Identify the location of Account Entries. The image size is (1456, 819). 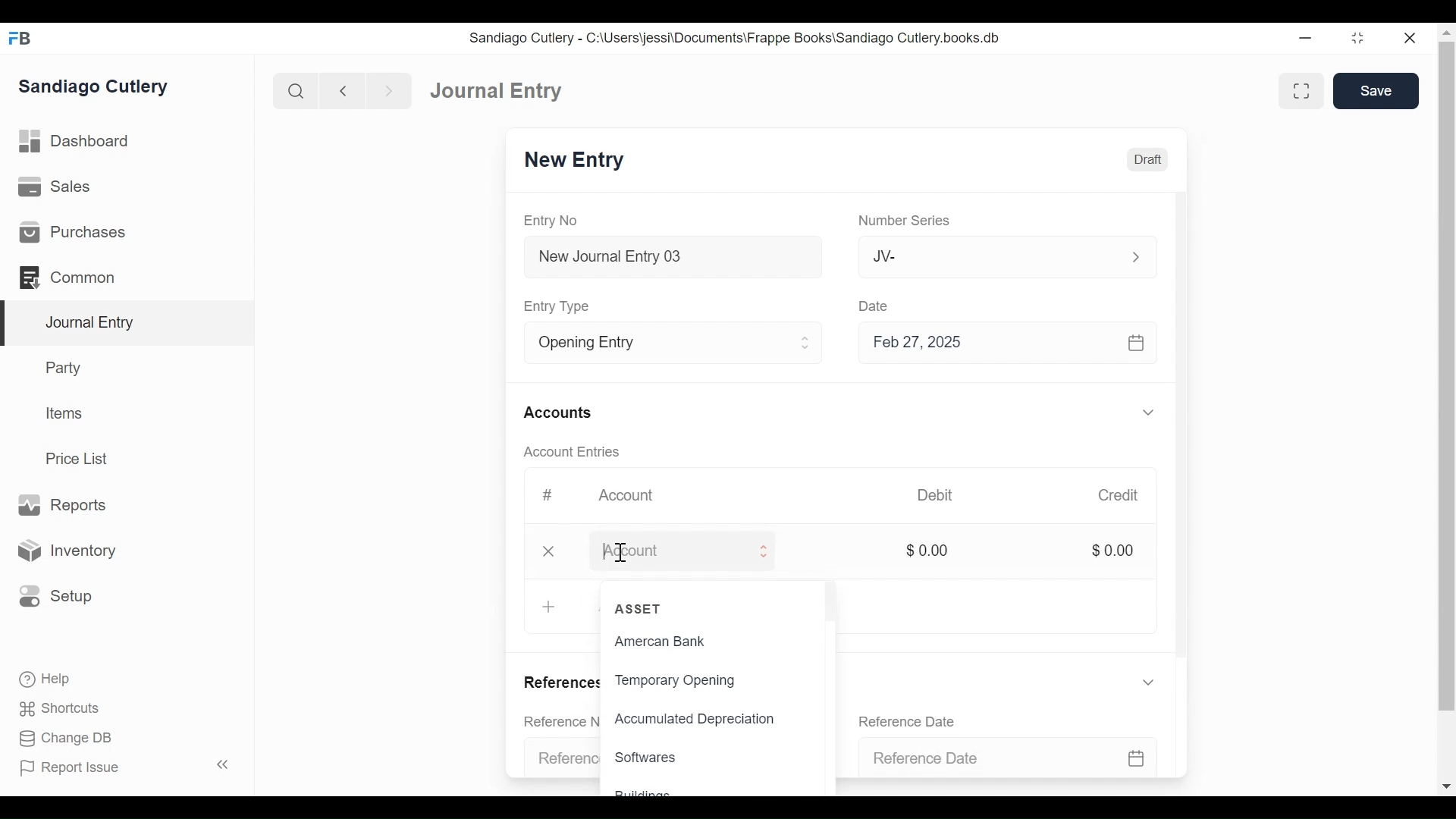
(571, 452).